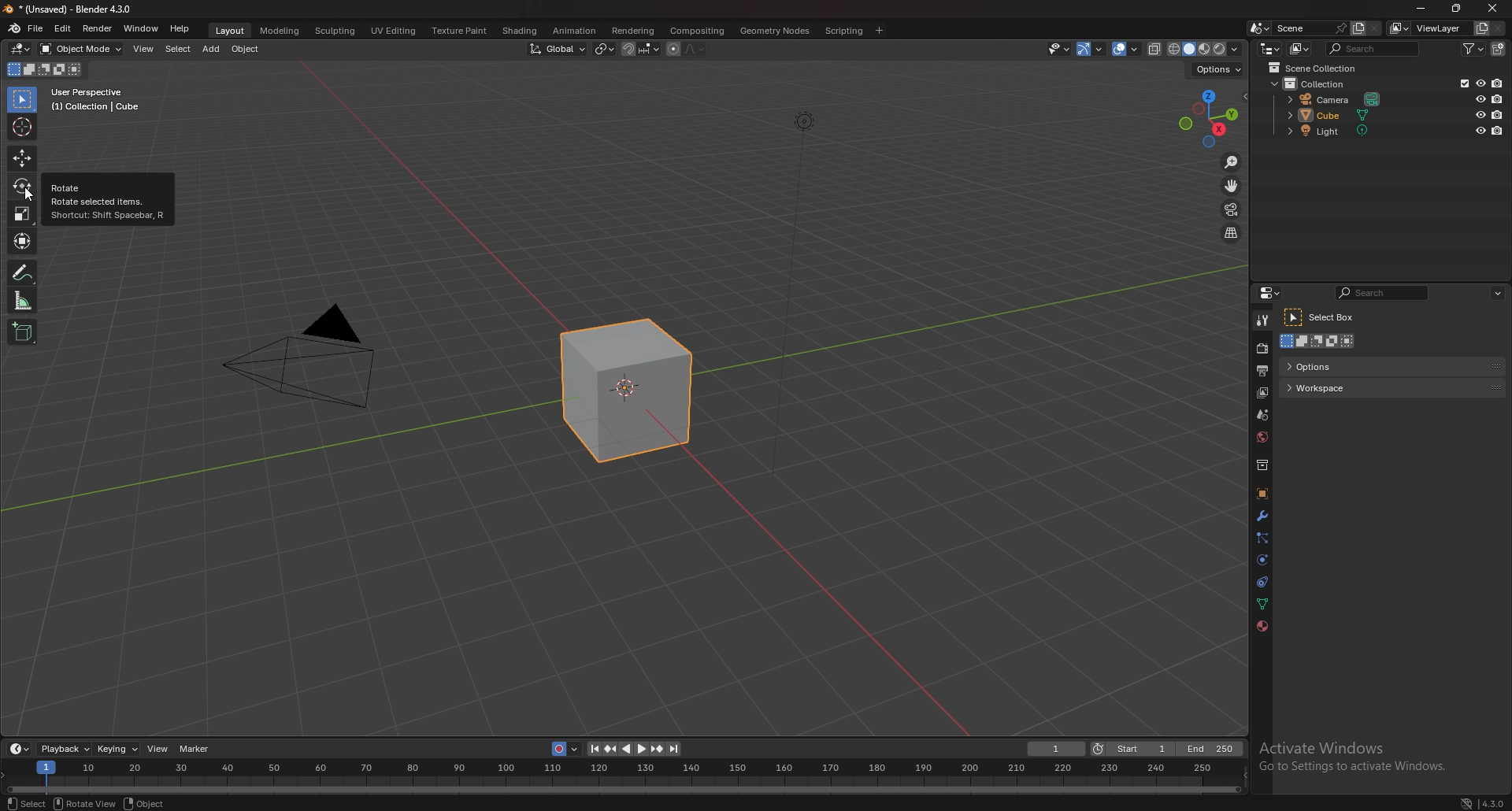 The image size is (1512, 811). I want to click on render, so click(97, 28).